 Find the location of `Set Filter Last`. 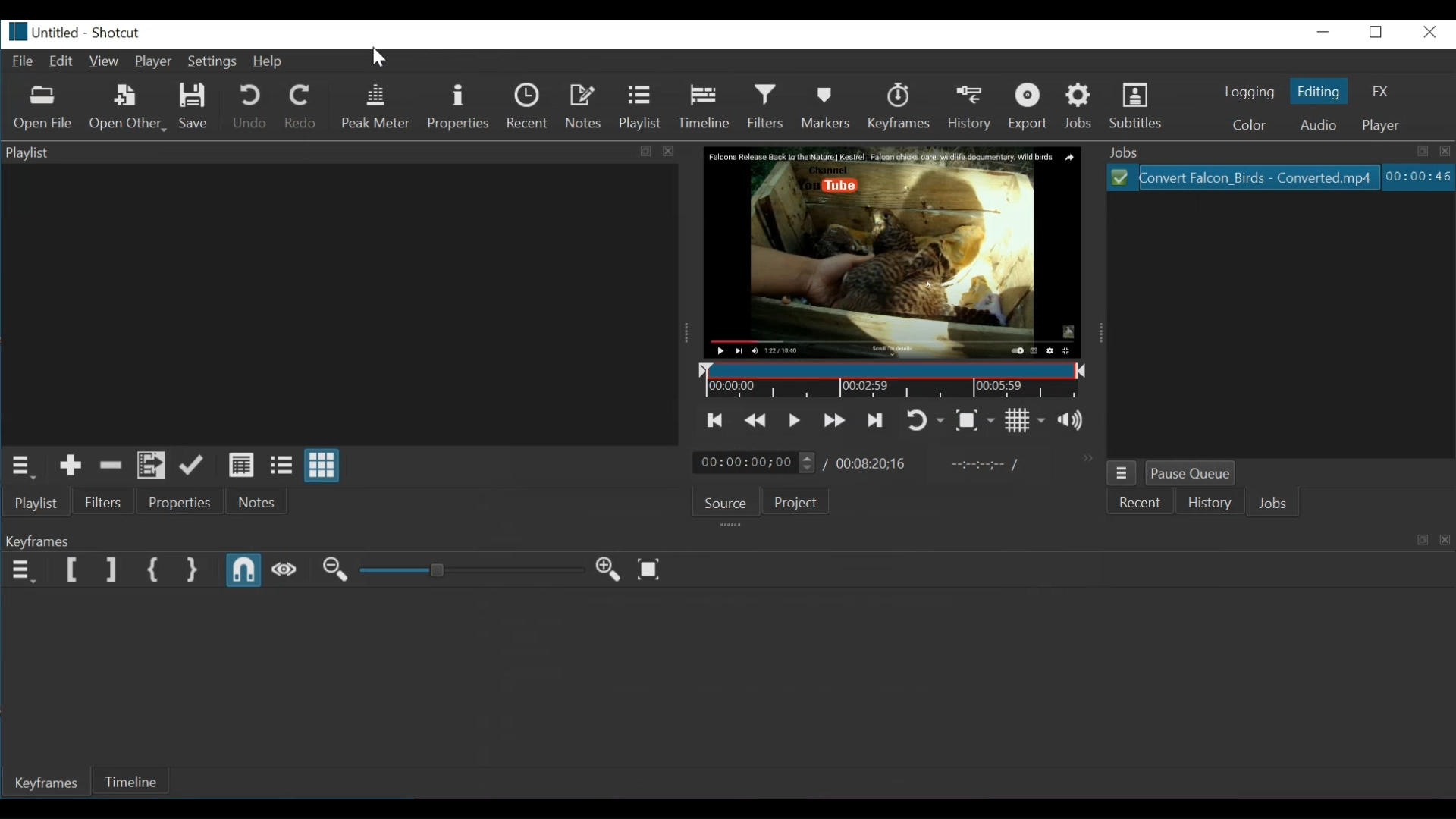

Set Filter Last is located at coordinates (110, 571).